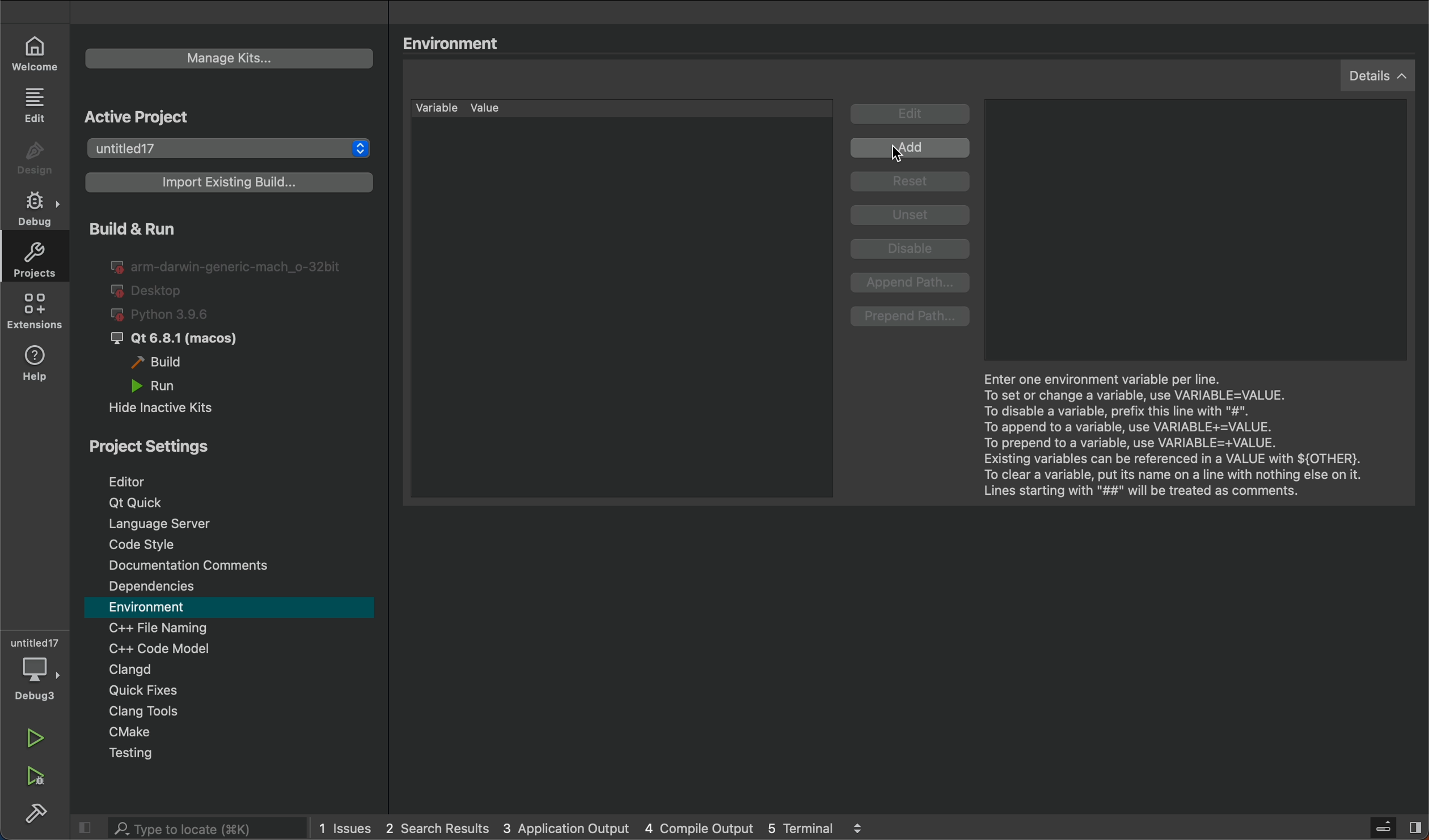  I want to click on design, so click(38, 159).